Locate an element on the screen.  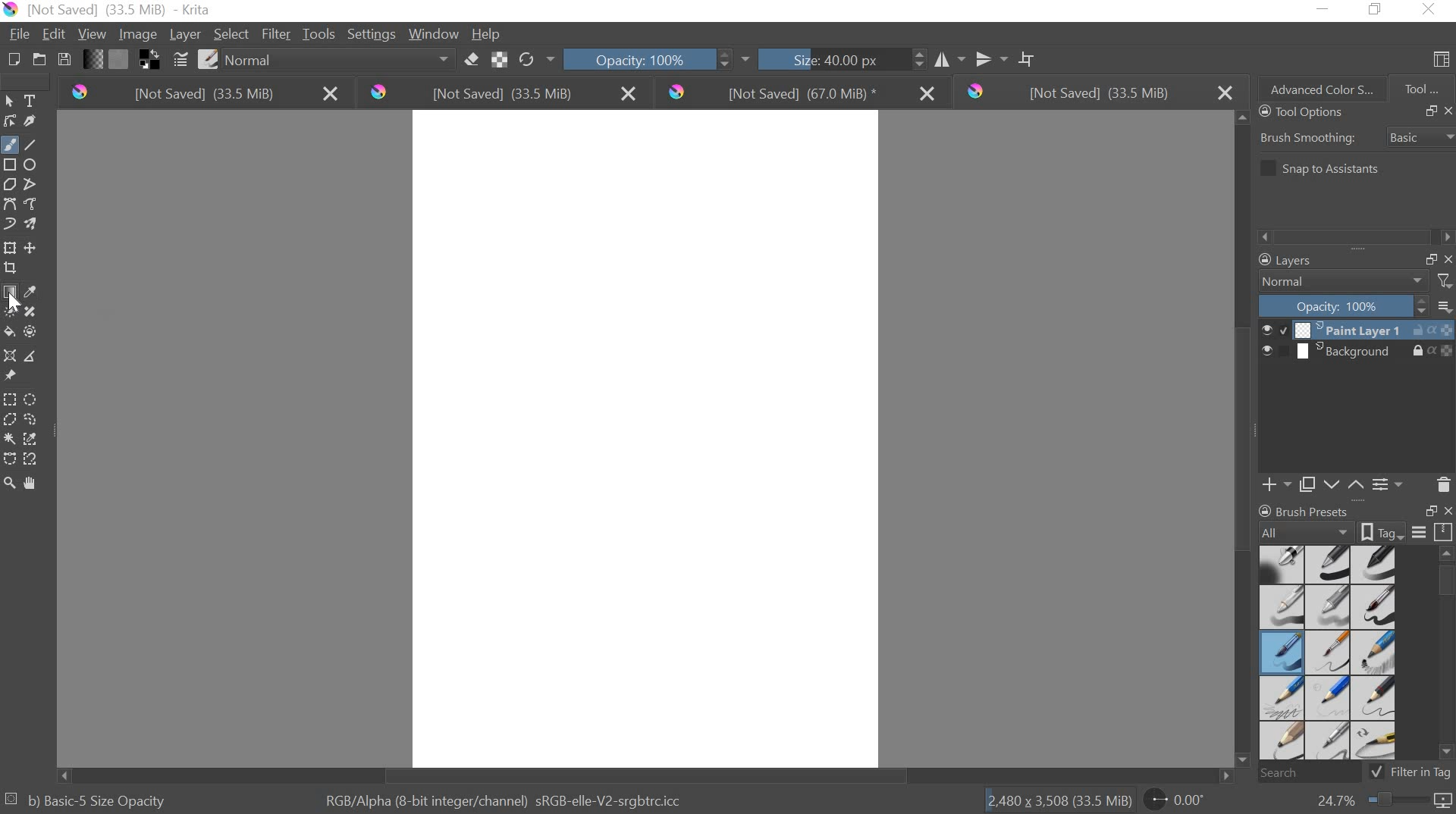
dynamic brush is located at coordinates (9, 223).